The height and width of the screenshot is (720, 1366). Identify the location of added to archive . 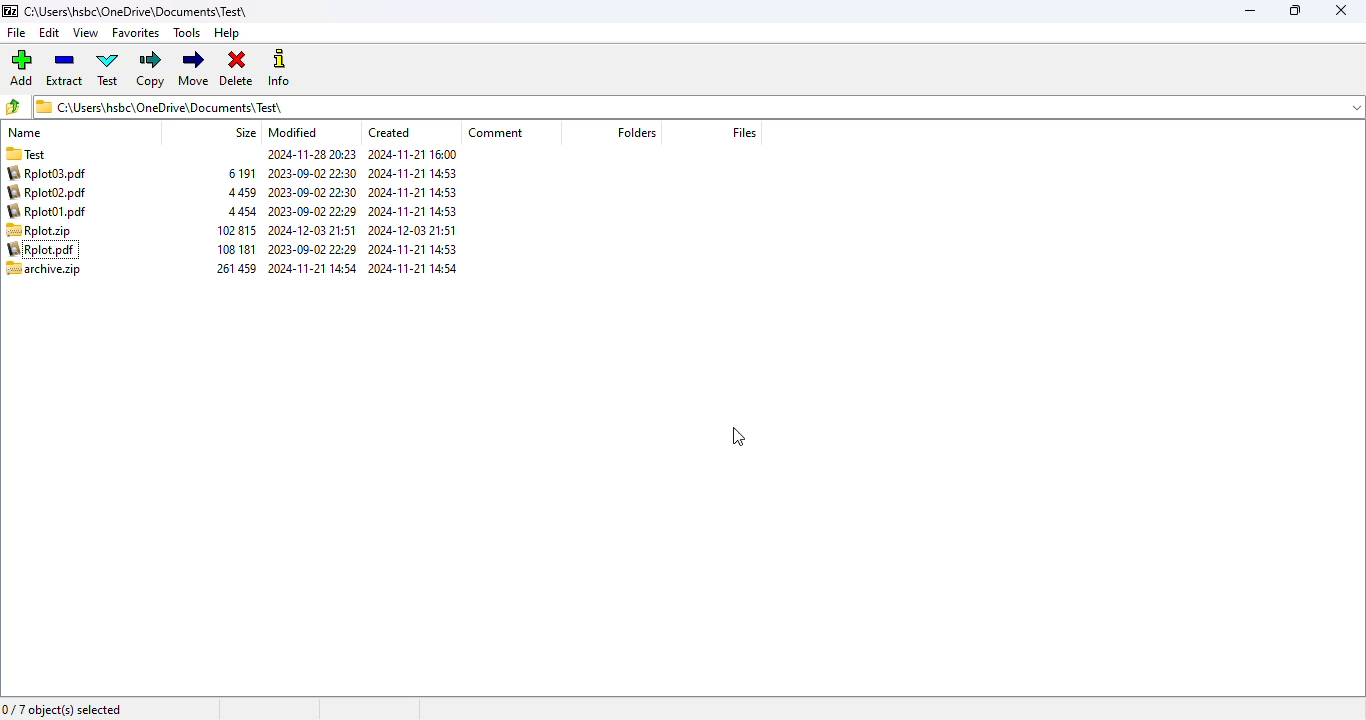
(38, 229).